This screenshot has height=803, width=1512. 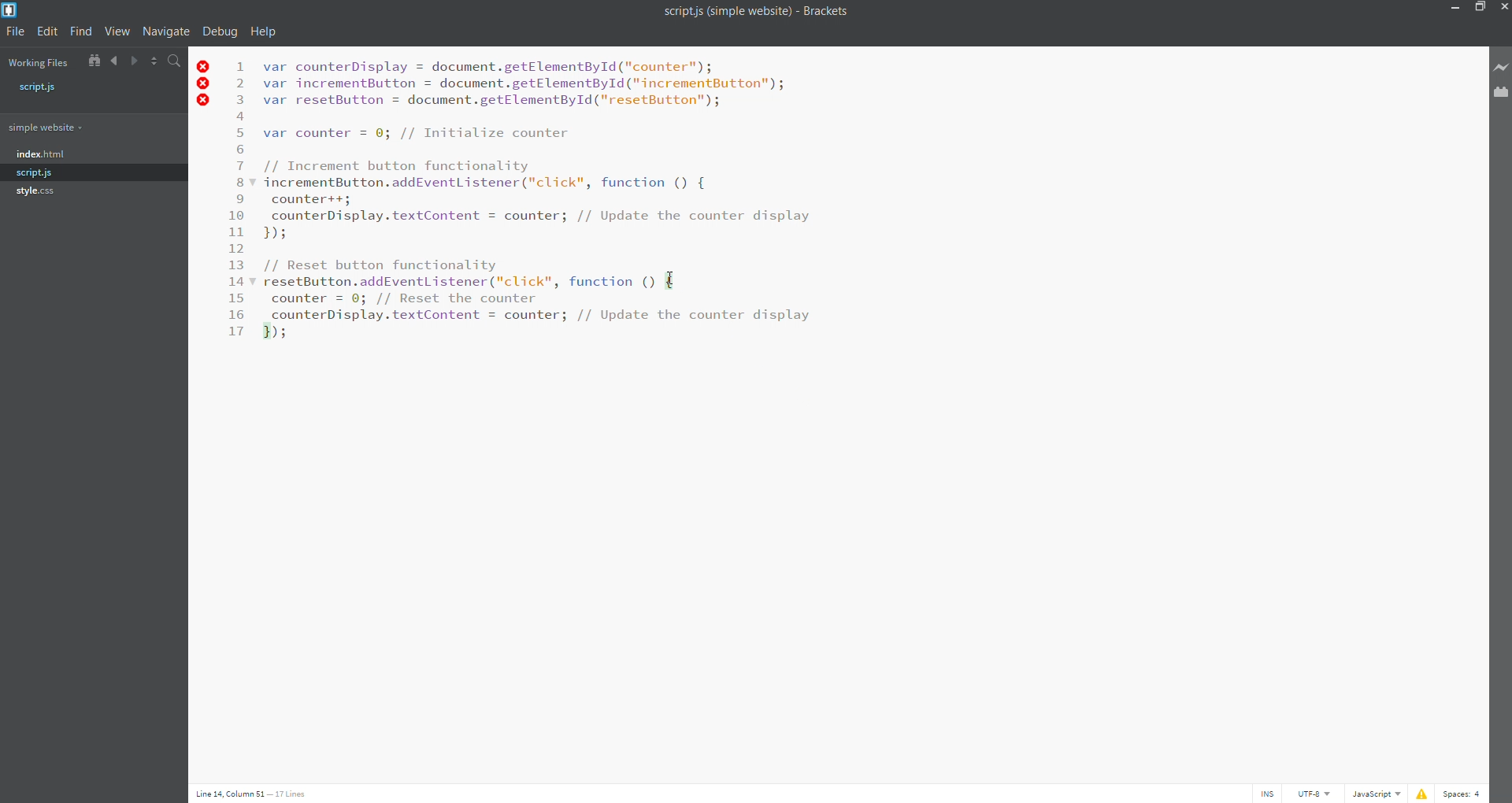 What do you see at coordinates (672, 280) in the screenshot?
I see `highlighted open brace ` at bounding box center [672, 280].